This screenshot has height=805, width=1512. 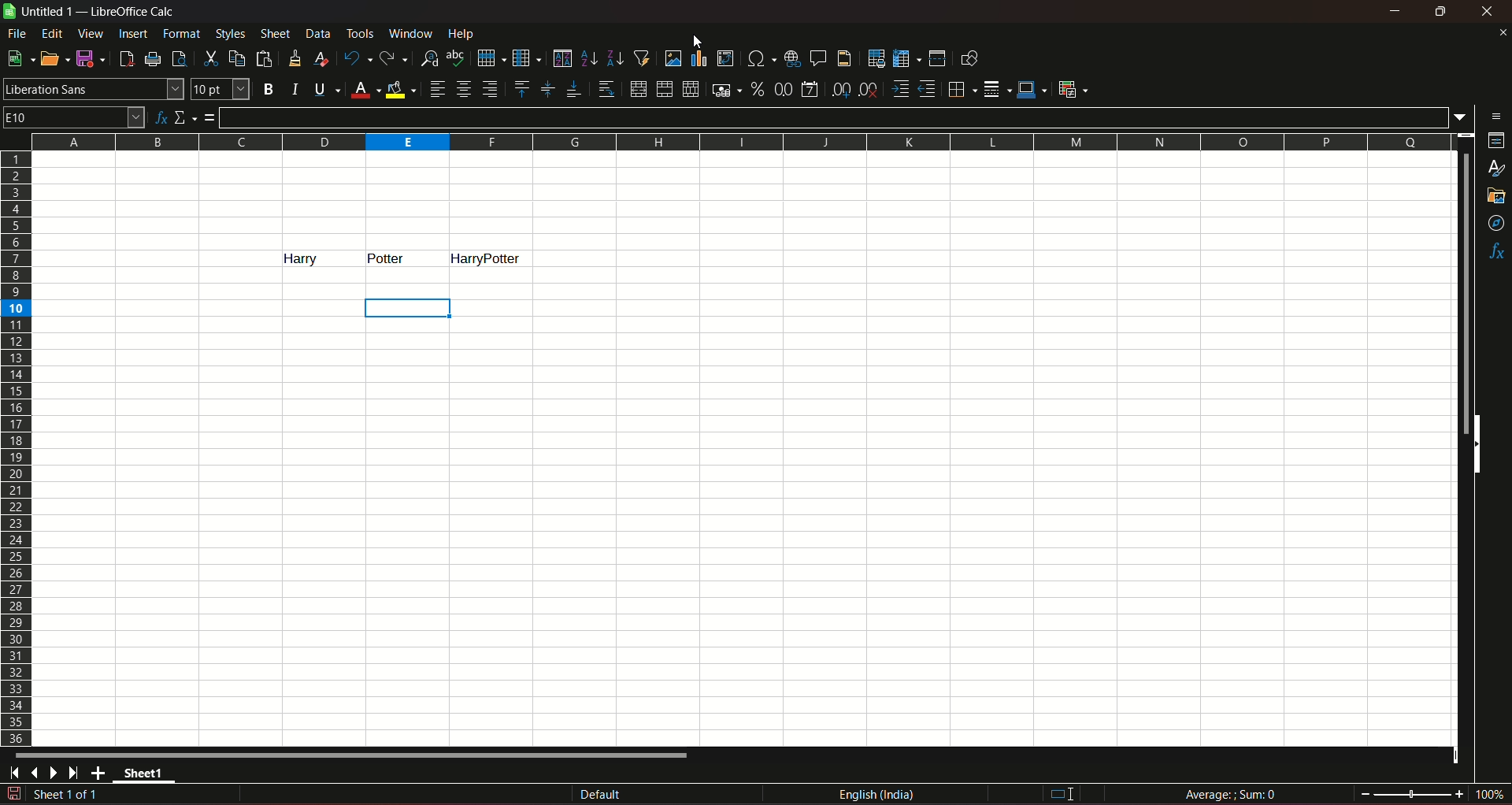 I want to click on redo, so click(x=394, y=57).